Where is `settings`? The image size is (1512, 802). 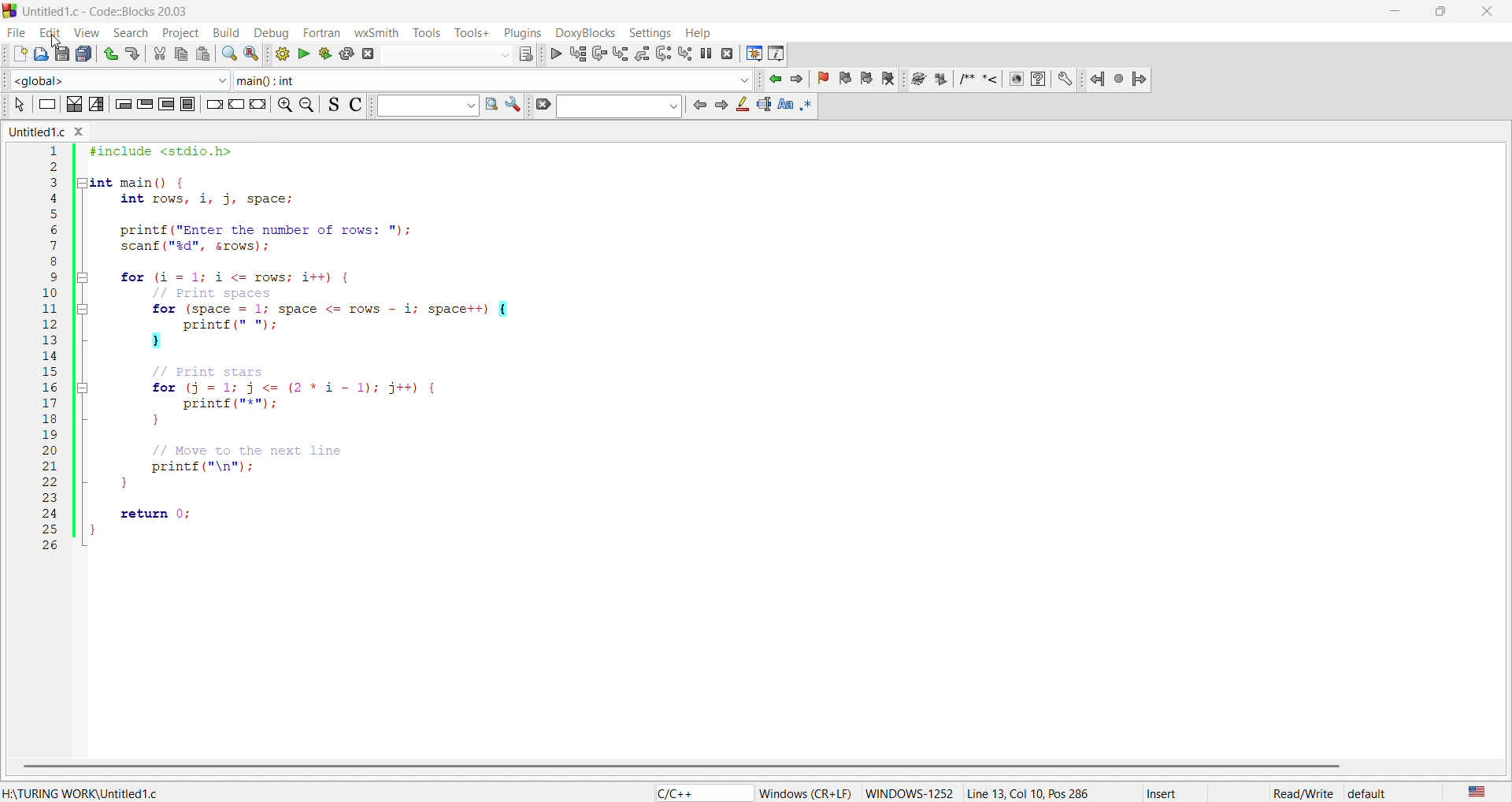 settings is located at coordinates (647, 31).